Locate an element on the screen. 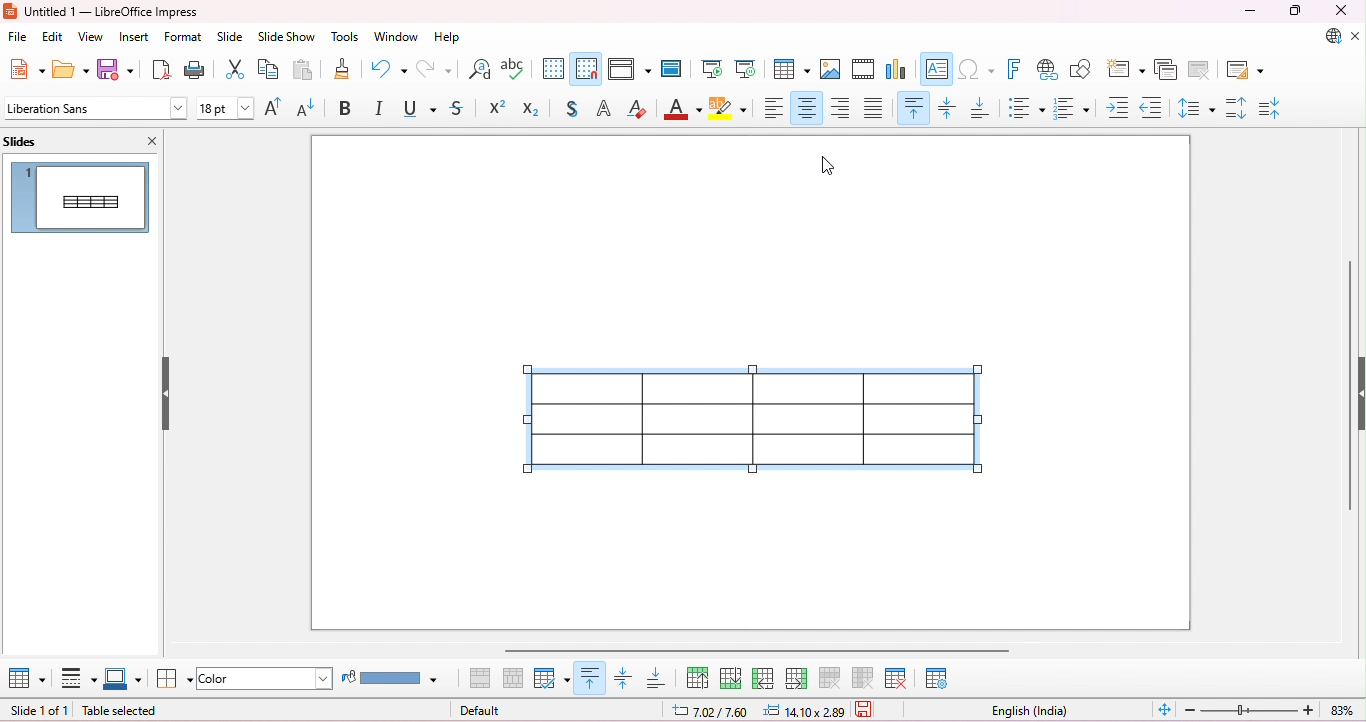  border is located at coordinates (172, 679).